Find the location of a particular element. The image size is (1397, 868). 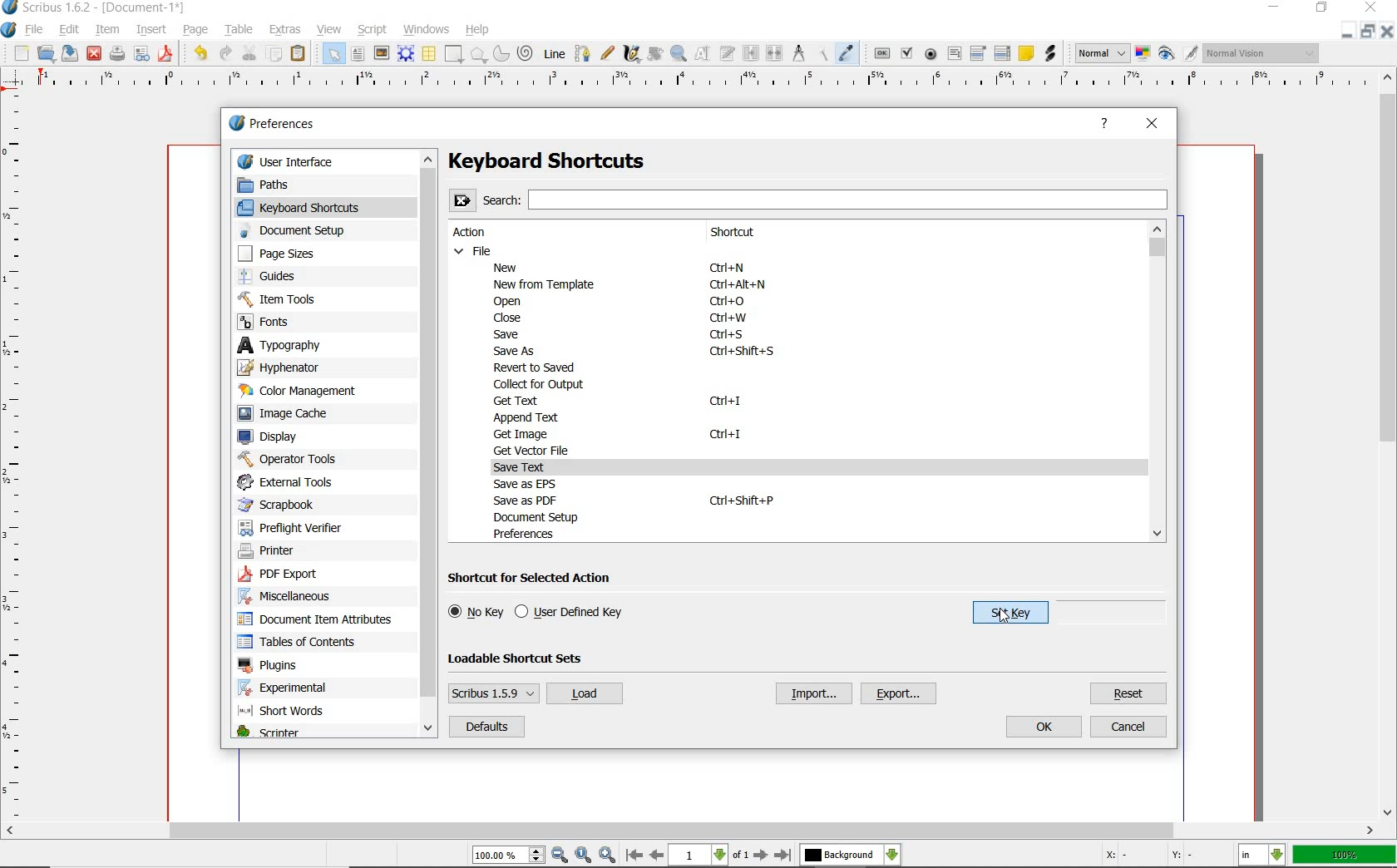

zoom in/zoom to/zoom out is located at coordinates (544, 856).